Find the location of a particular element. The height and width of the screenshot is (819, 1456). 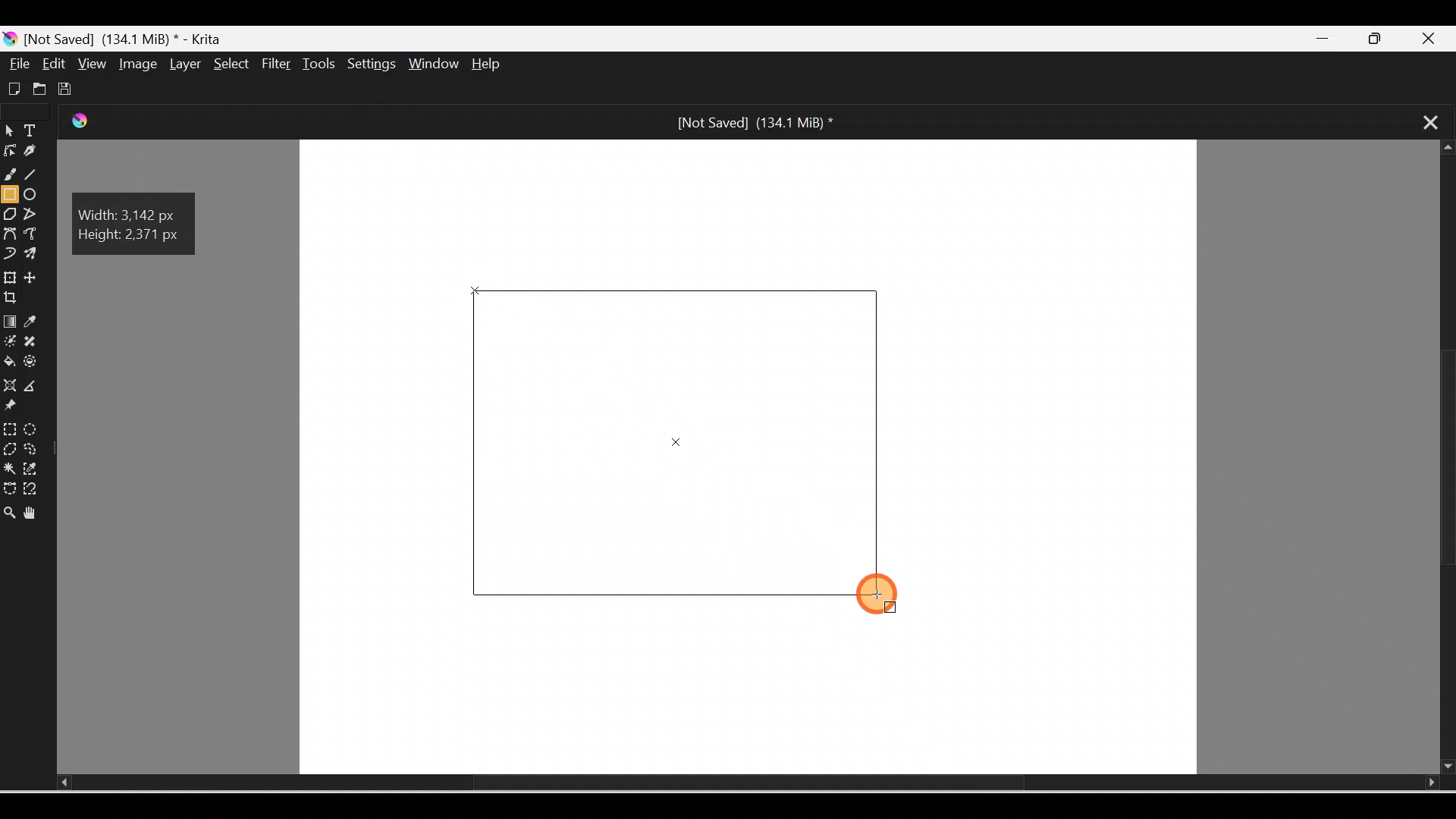

Magnetic curve selection tool is located at coordinates (35, 490).